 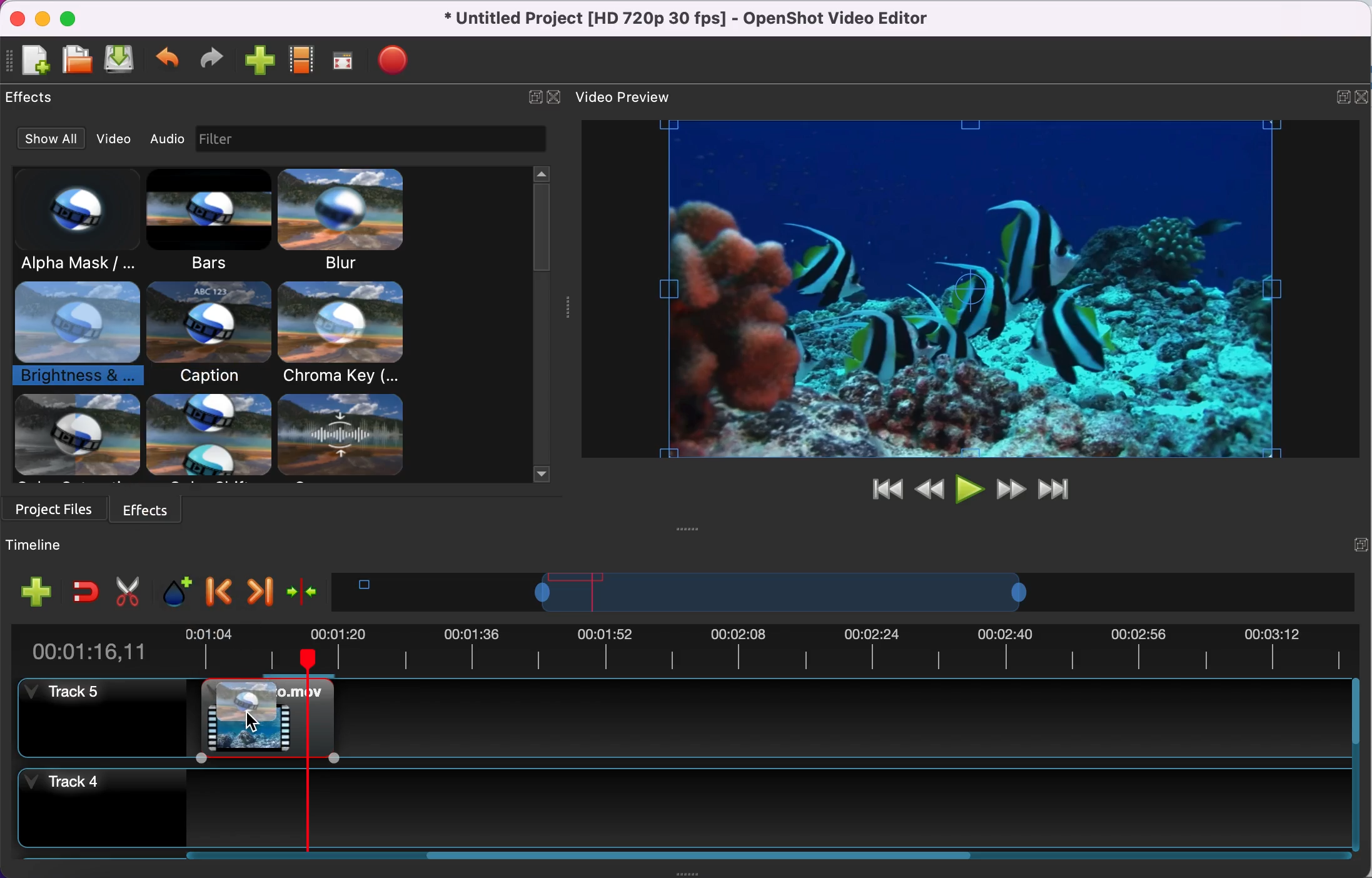 What do you see at coordinates (67, 544) in the screenshot?
I see `timeline` at bounding box center [67, 544].